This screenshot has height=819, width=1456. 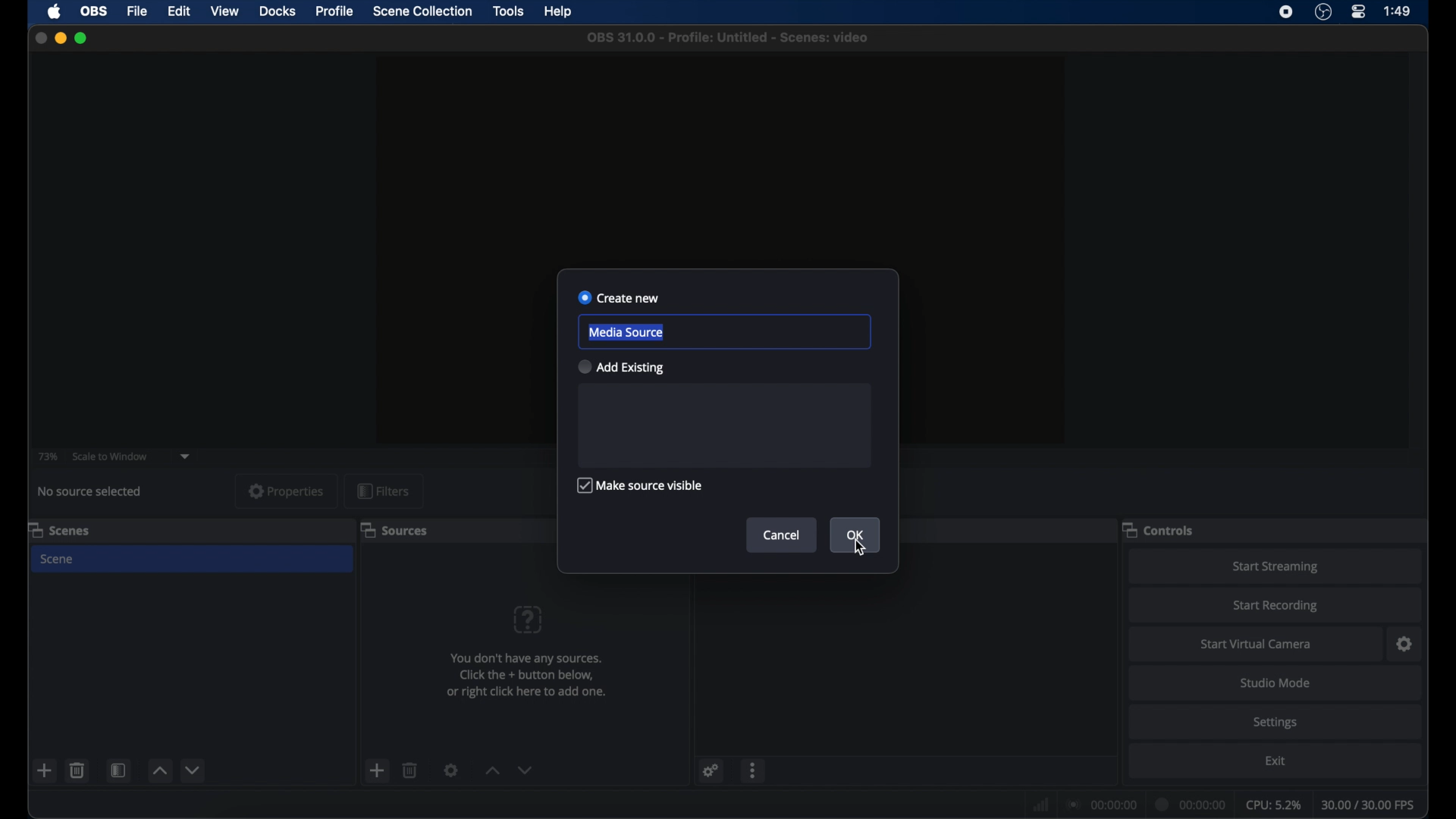 What do you see at coordinates (138, 11) in the screenshot?
I see `file` at bounding box center [138, 11].